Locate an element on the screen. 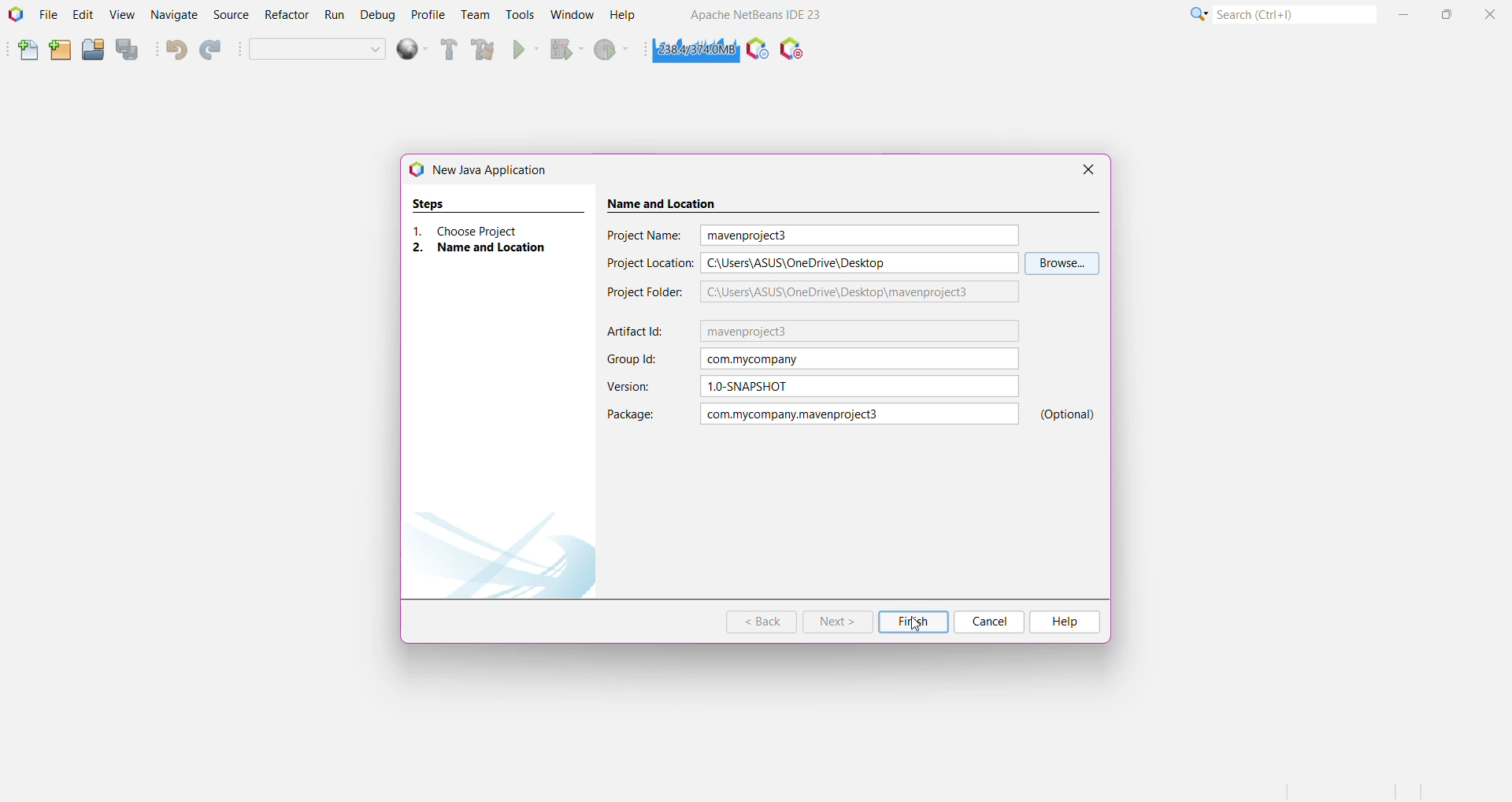 The image size is (1512, 802). Redo is located at coordinates (210, 50).